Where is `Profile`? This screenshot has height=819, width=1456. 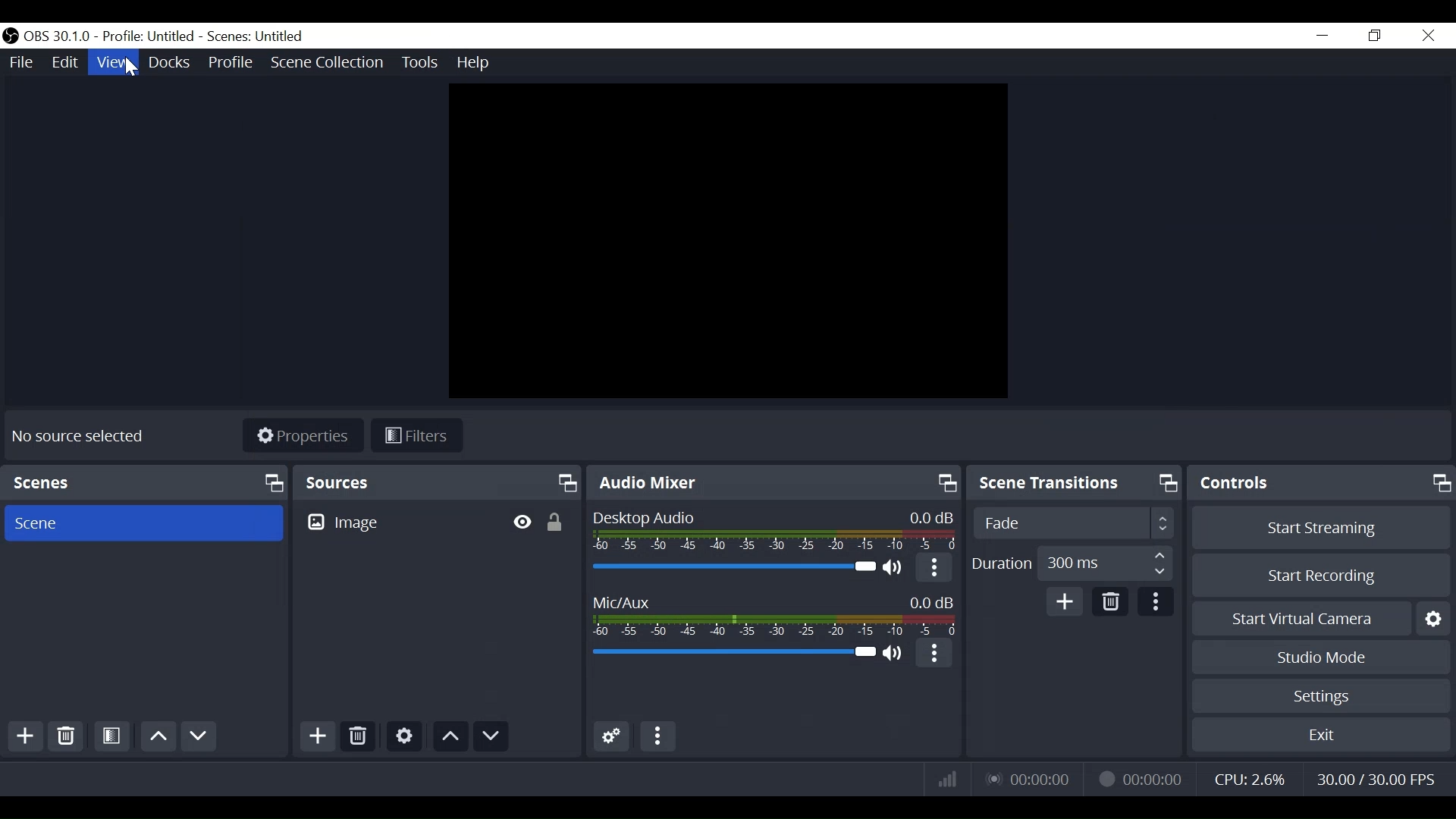
Profile is located at coordinates (233, 63).